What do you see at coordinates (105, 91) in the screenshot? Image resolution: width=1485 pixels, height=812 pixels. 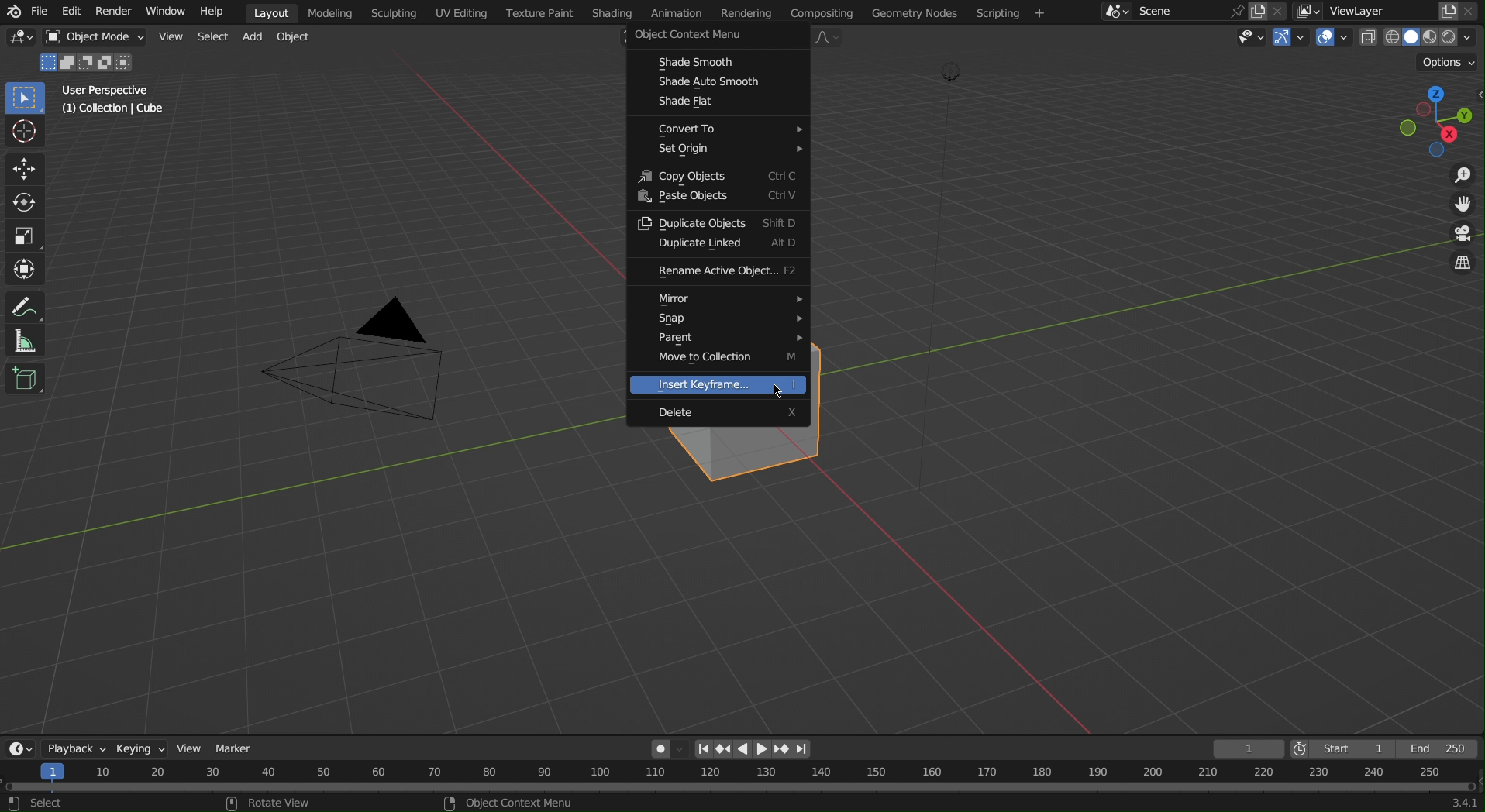 I see `User Perspective` at bounding box center [105, 91].